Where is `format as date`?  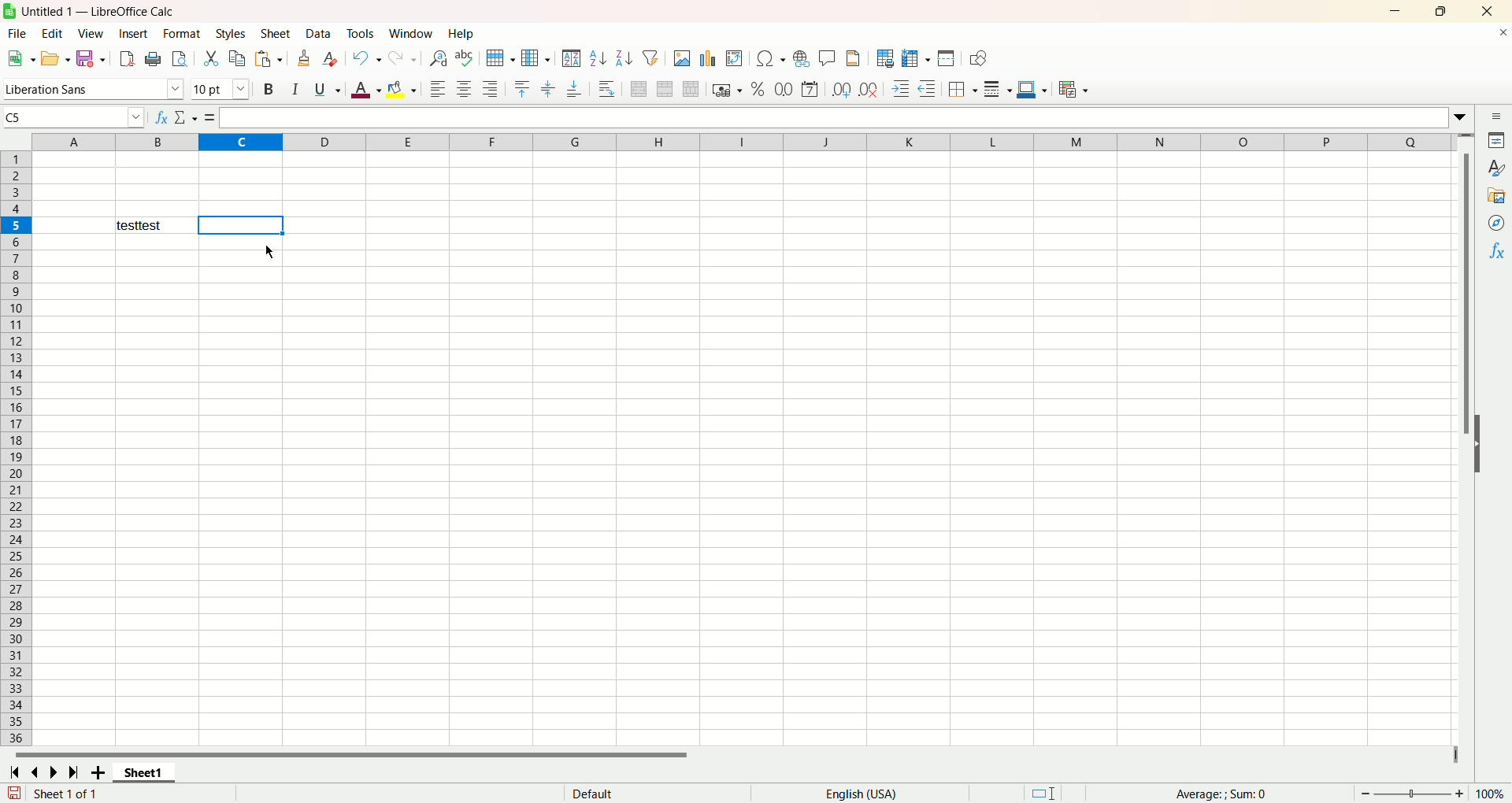
format as date is located at coordinates (810, 89).